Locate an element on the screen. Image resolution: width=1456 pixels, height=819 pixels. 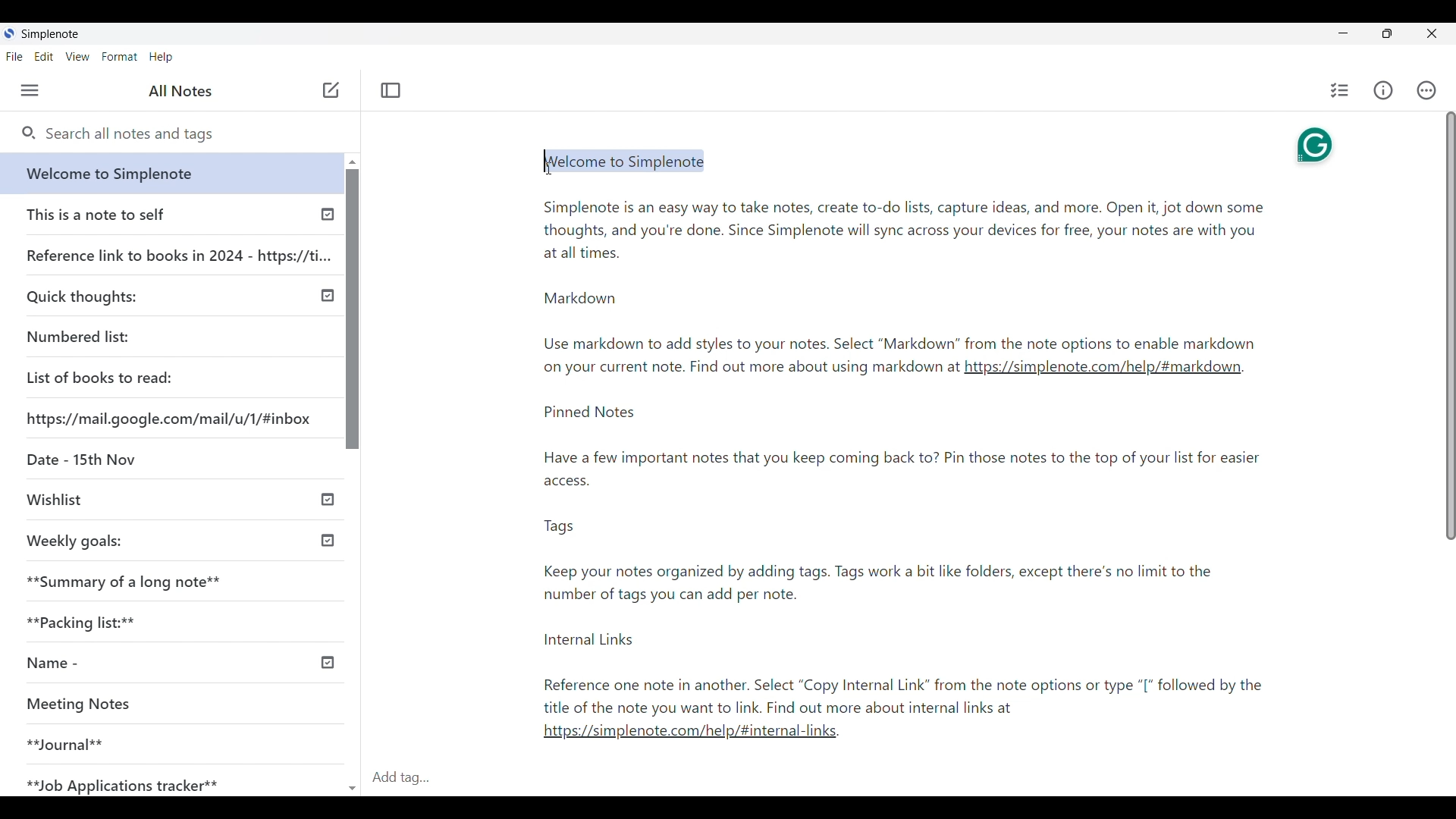
Actions is located at coordinates (1427, 90).